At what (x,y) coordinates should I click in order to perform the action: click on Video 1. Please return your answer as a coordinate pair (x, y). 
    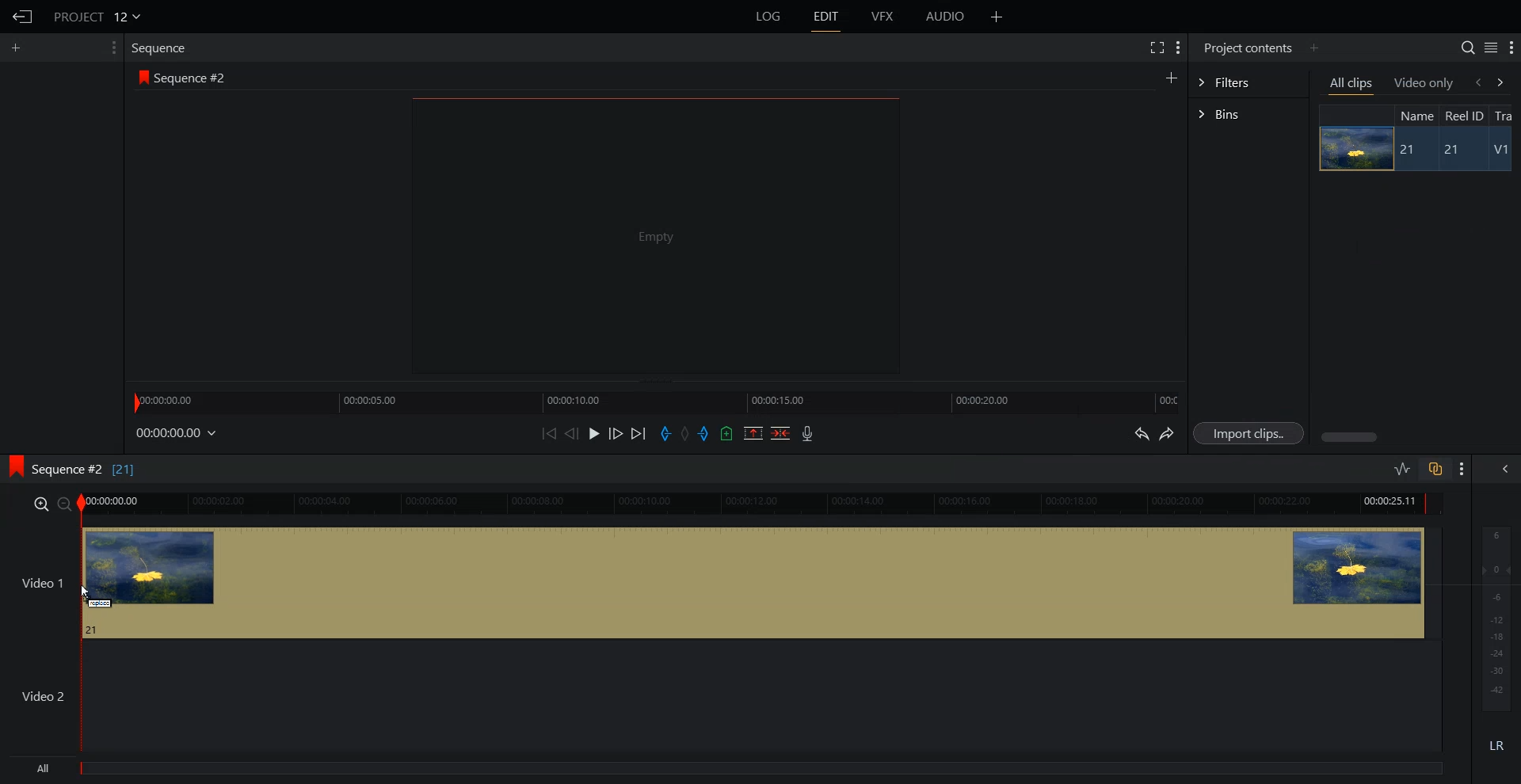
    Looking at the image, I should click on (722, 582).